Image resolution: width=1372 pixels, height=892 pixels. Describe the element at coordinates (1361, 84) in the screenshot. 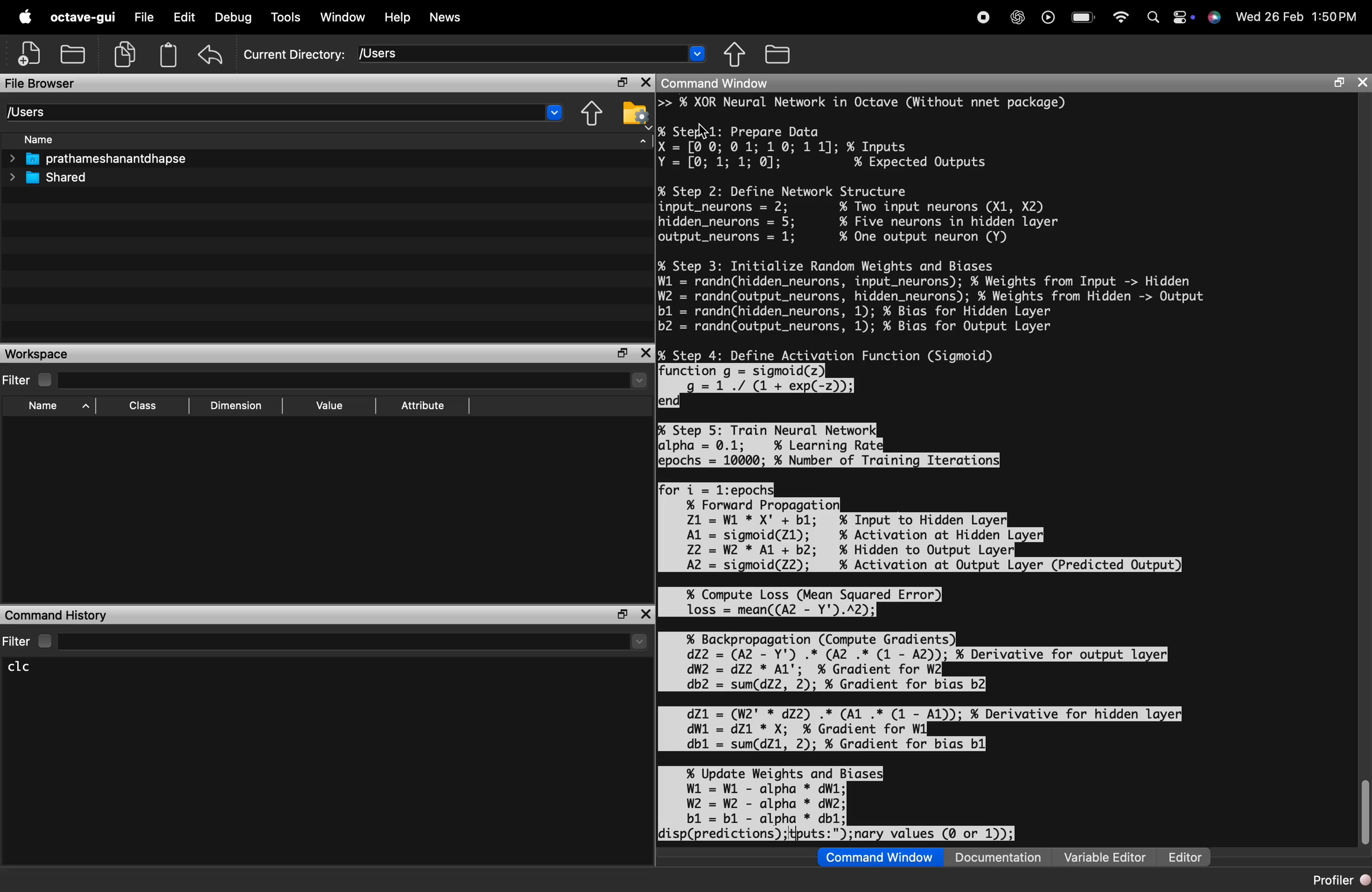

I see `close` at that location.